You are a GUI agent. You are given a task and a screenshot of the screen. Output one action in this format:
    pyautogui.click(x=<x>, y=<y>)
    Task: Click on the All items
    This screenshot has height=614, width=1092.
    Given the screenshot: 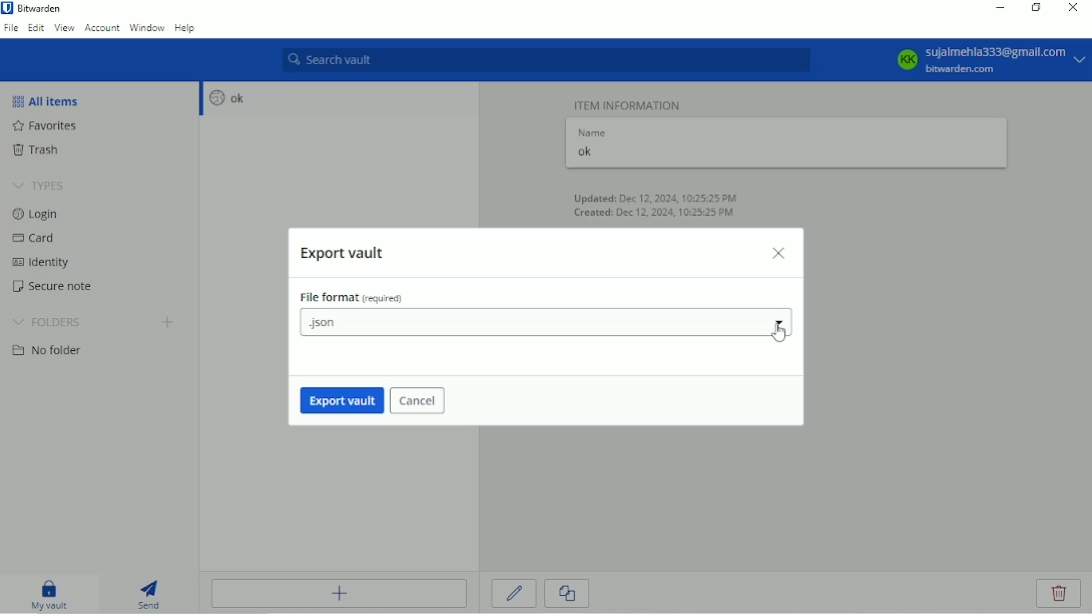 What is the action you would take?
    pyautogui.click(x=51, y=100)
    